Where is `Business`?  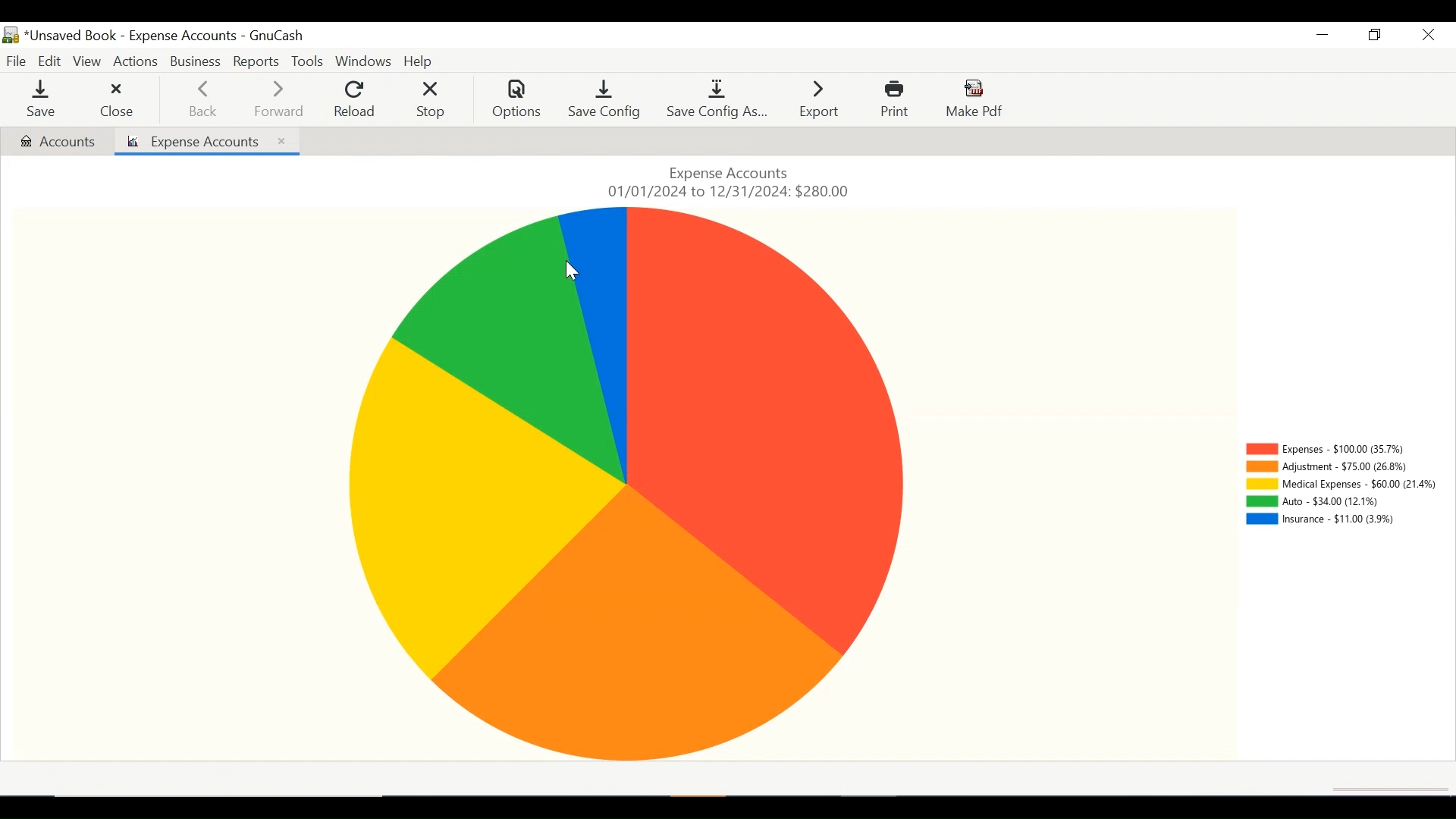
Business is located at coordinates (196, 58).